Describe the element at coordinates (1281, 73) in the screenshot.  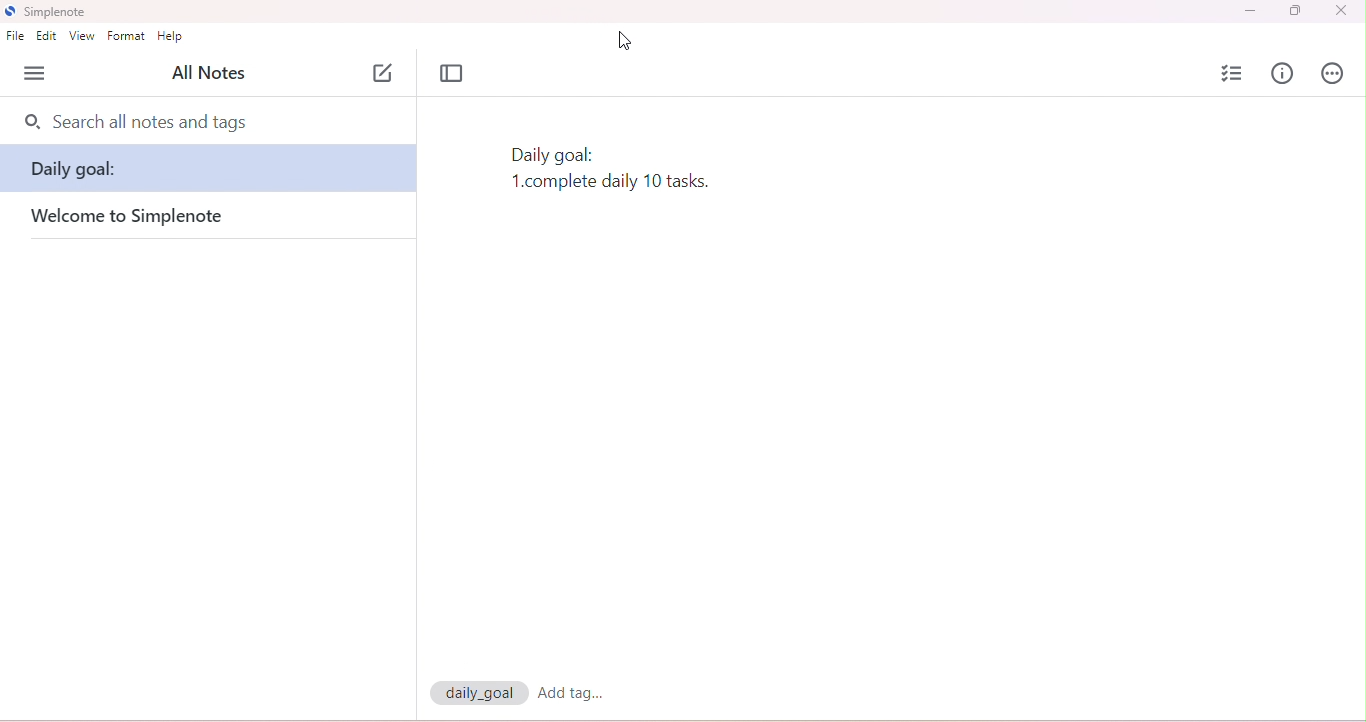
I see `info` at that location.